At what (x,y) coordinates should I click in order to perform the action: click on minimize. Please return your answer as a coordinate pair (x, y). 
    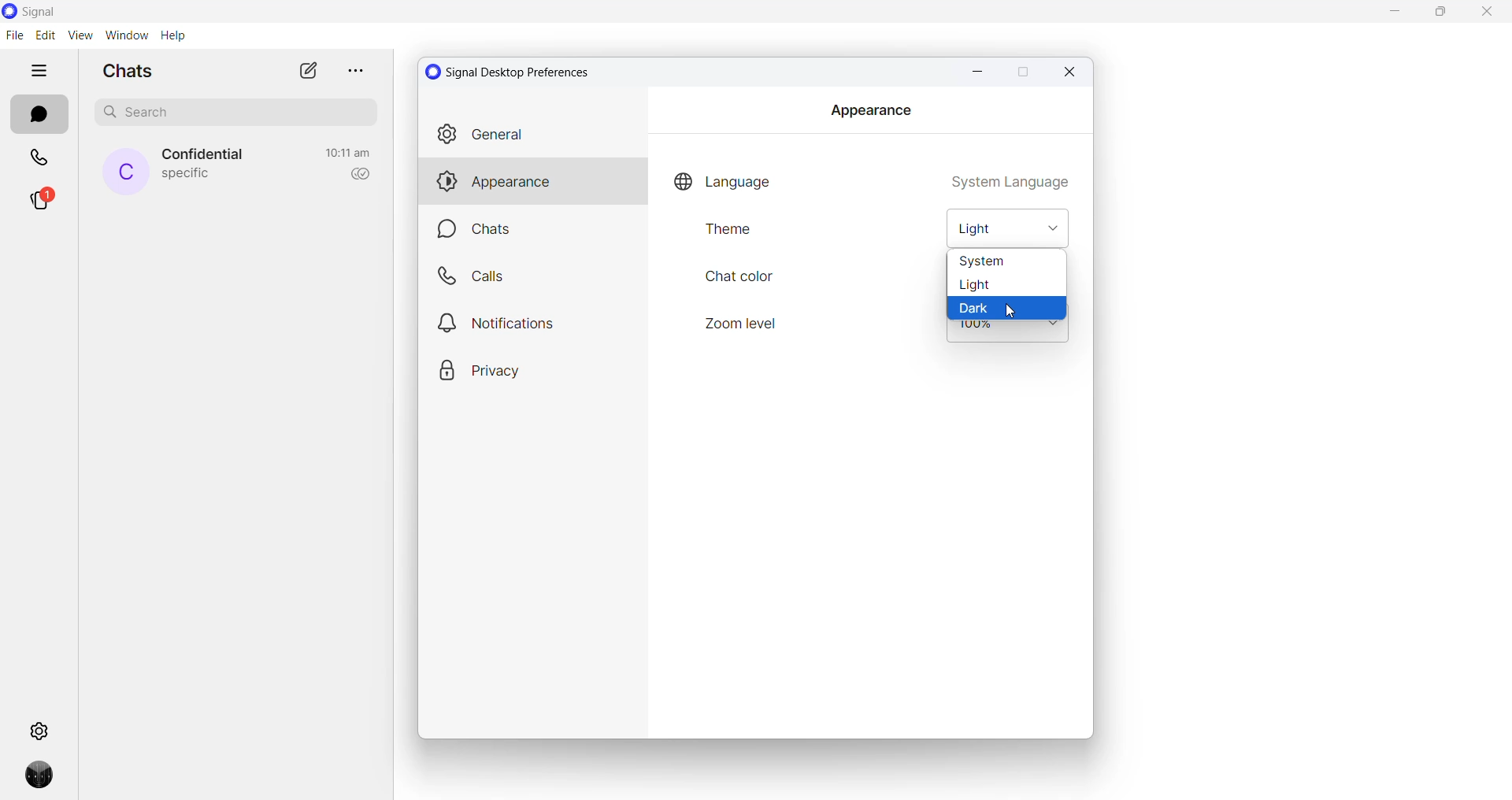
    Looking at the image, I should click on (1398, 13).